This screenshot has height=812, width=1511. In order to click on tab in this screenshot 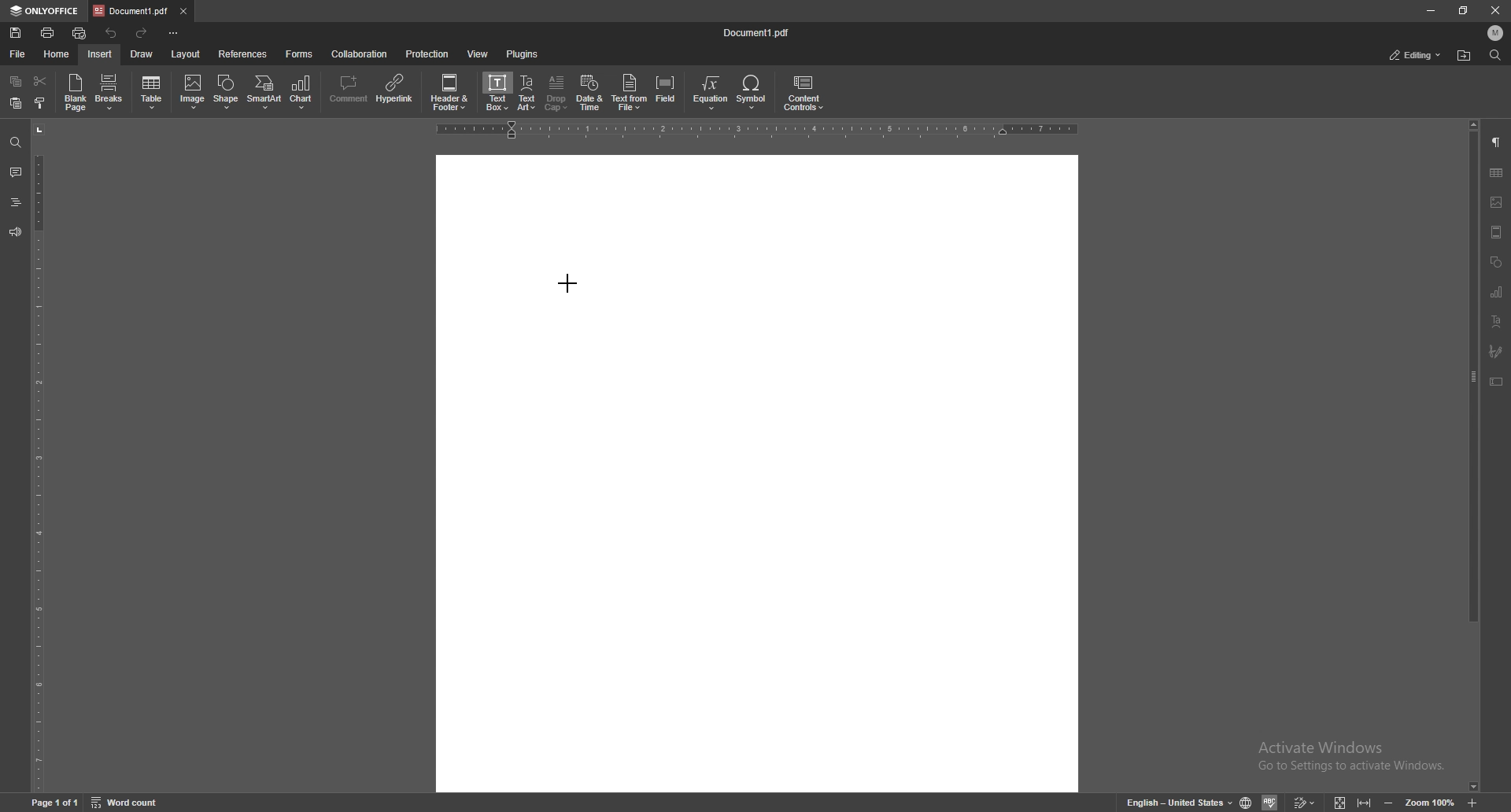, I will do `click(131, 11)`.